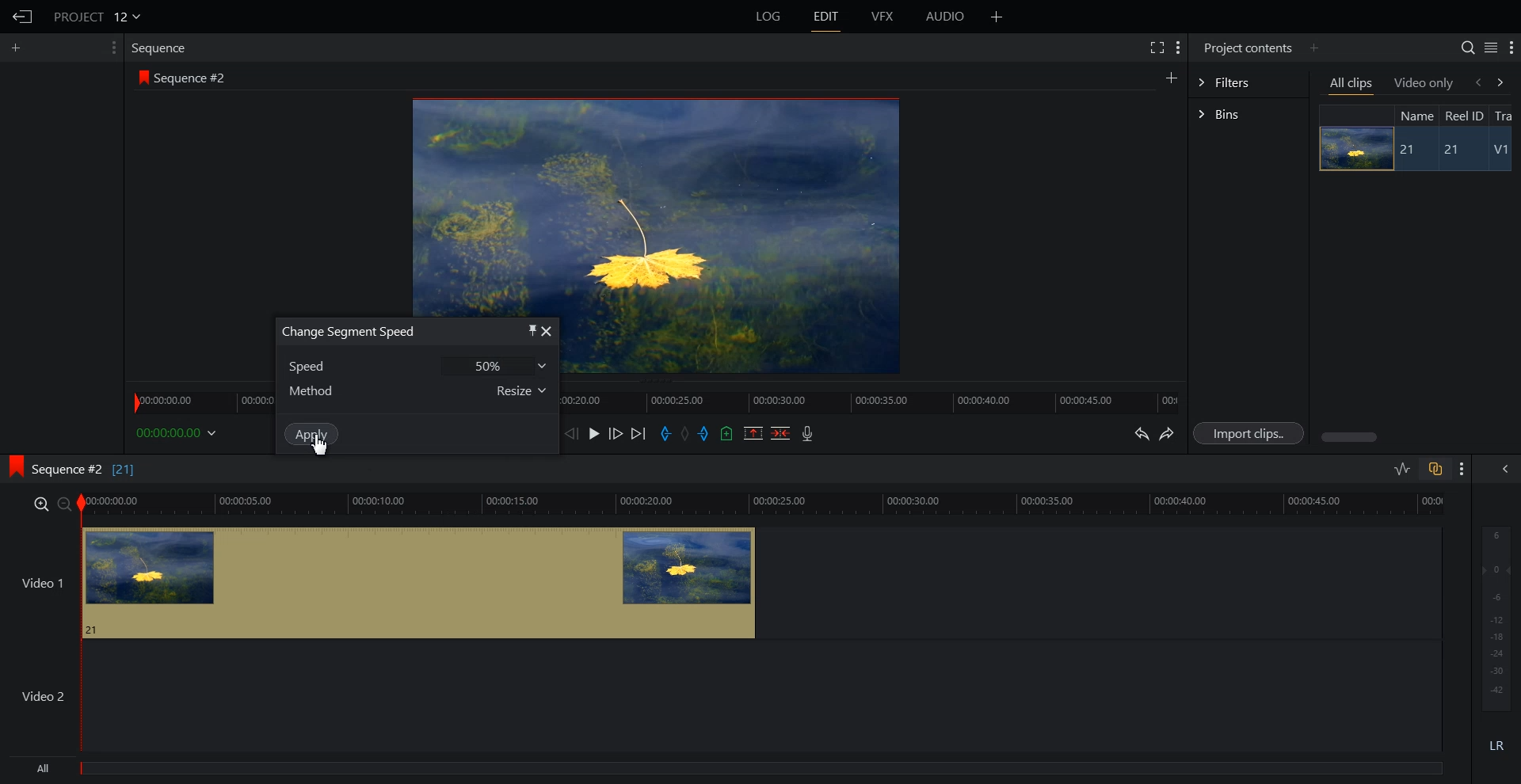 This screenshot has width=1521, height=784. I want to click on All clips, so click(1352, 85).